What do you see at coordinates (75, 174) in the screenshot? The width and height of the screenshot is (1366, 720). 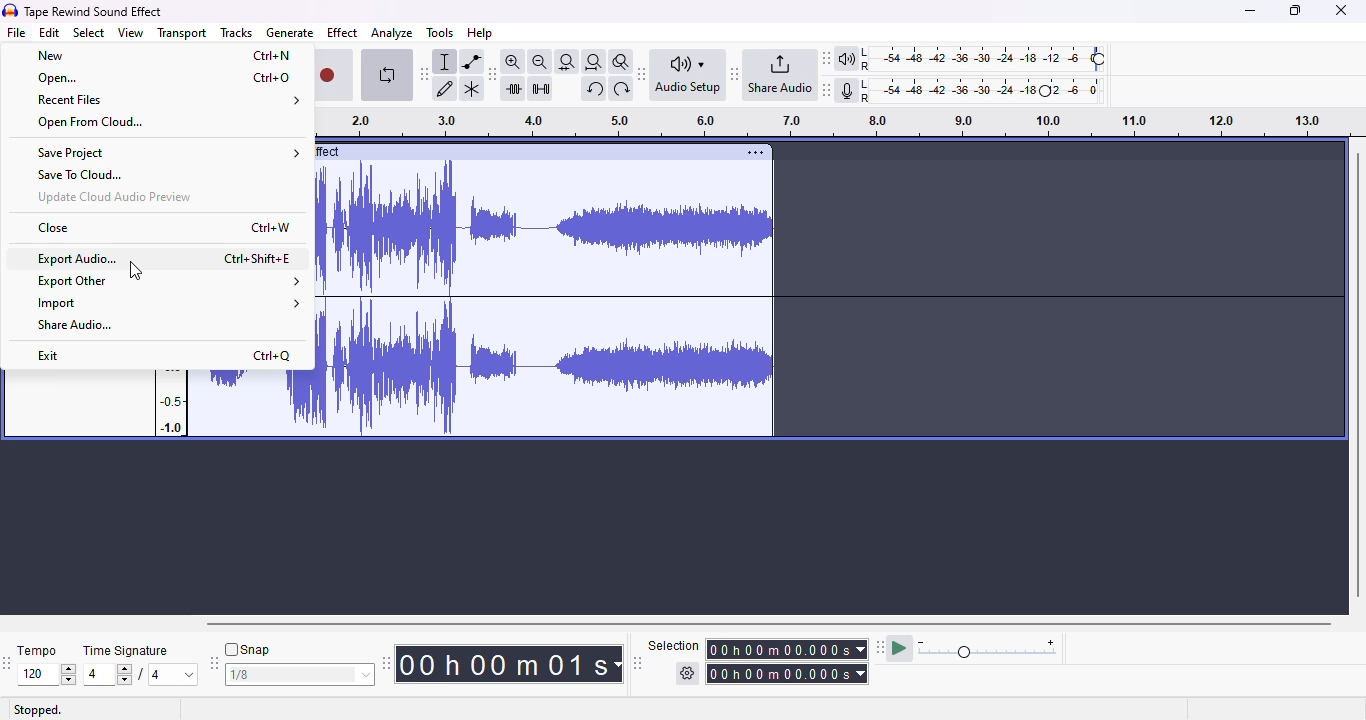 I see `save to cloud` at bounding box center [75, 174].